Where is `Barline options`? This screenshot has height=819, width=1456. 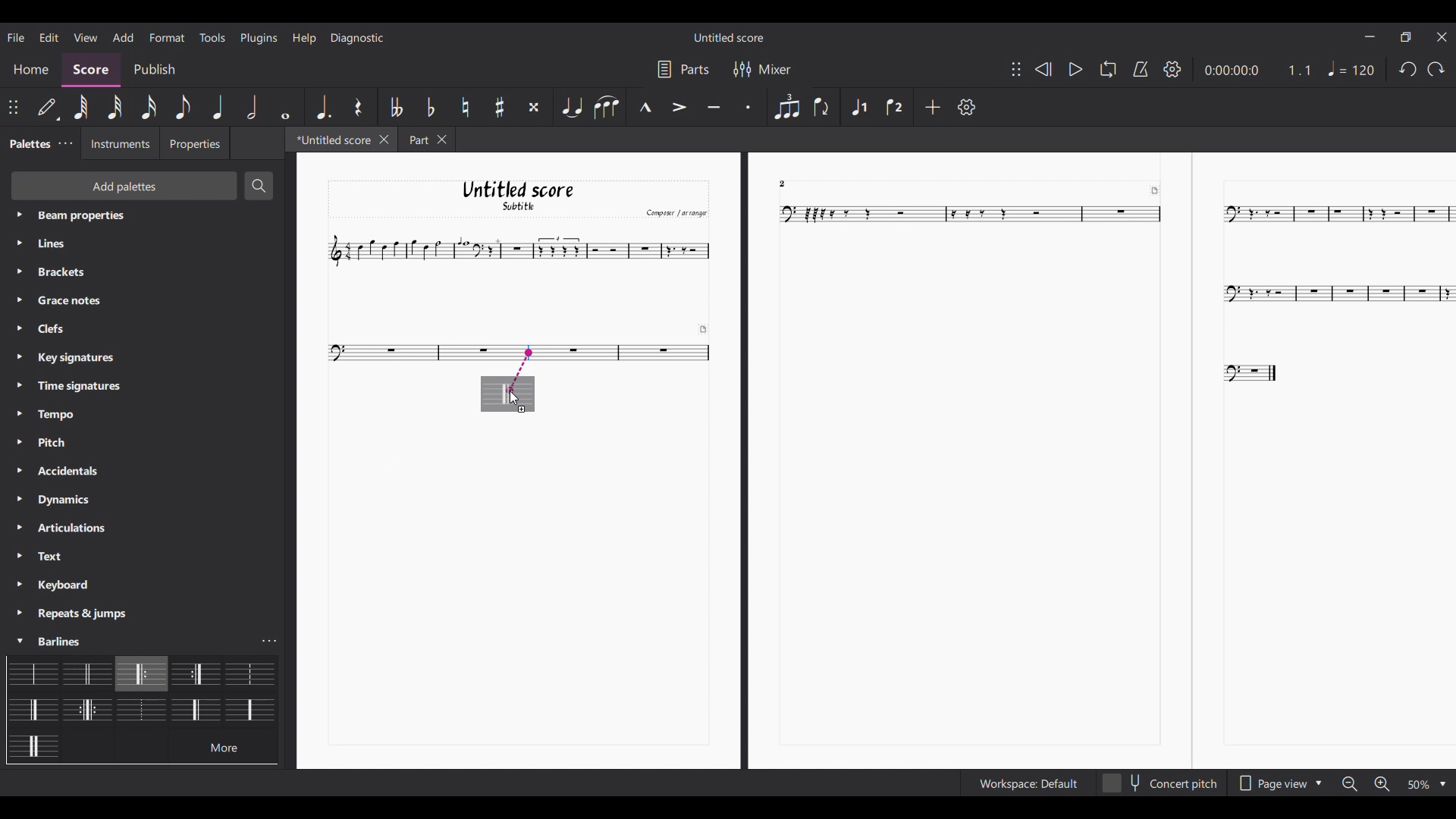 Barline options is located at coordinates (36, 708).